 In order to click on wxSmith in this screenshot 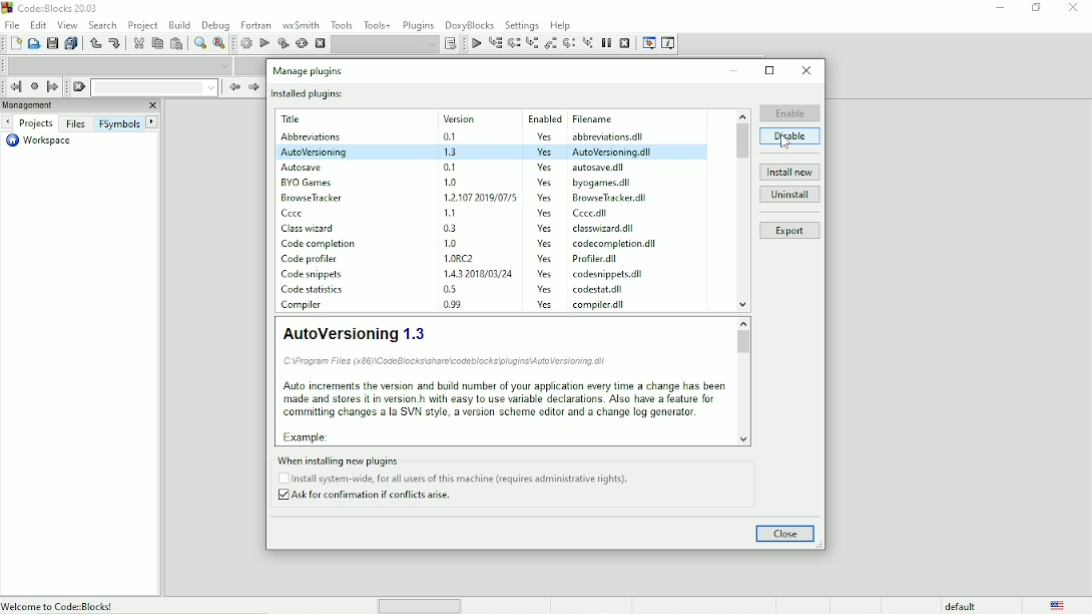, I will do `click(302, 24)`.